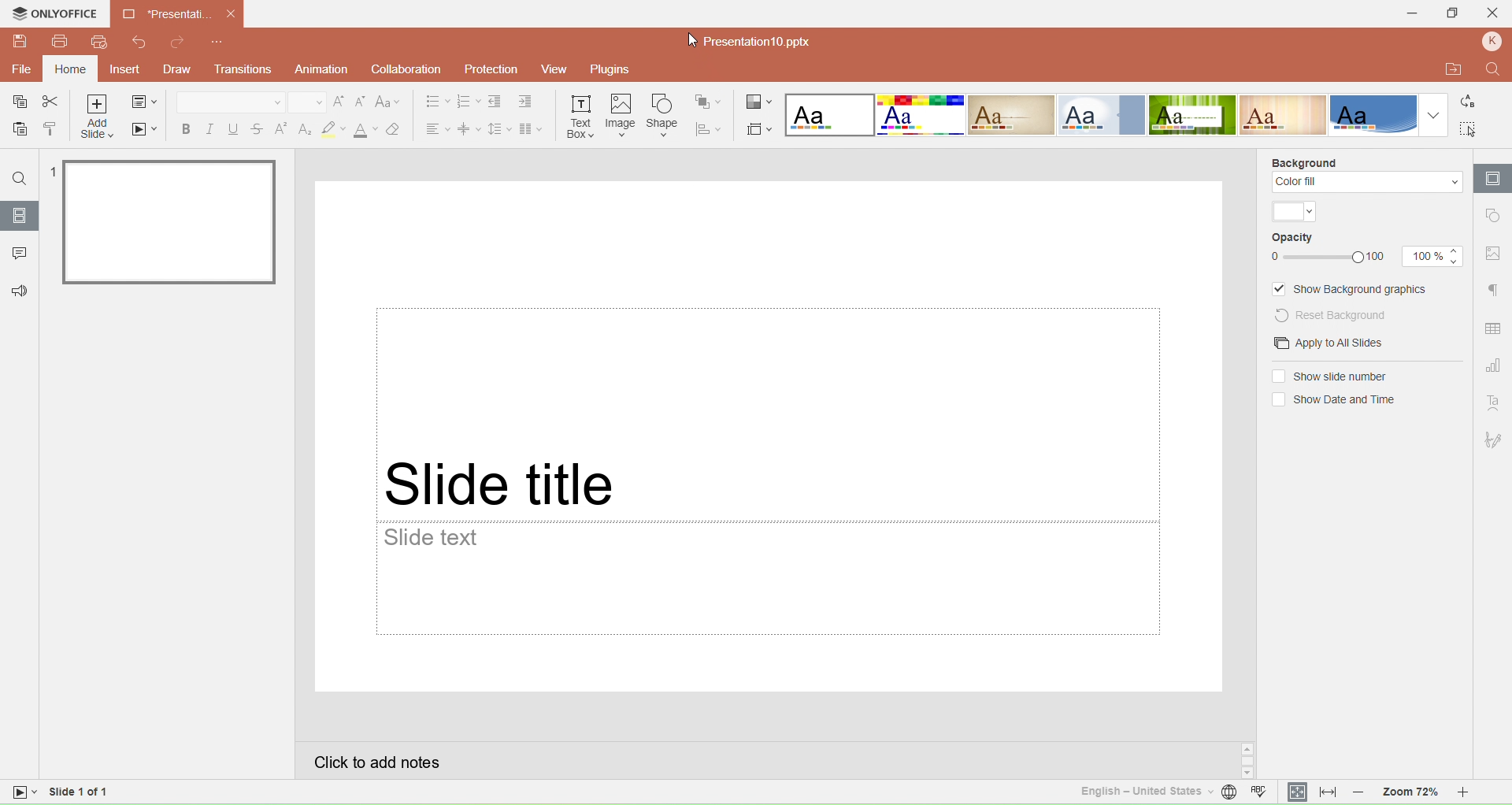 The width and height of the screenshot is (1512, 805). What do you see at coordinates (52, 173) in the screenshot?
I see `1` at bounding box center [52, 173].